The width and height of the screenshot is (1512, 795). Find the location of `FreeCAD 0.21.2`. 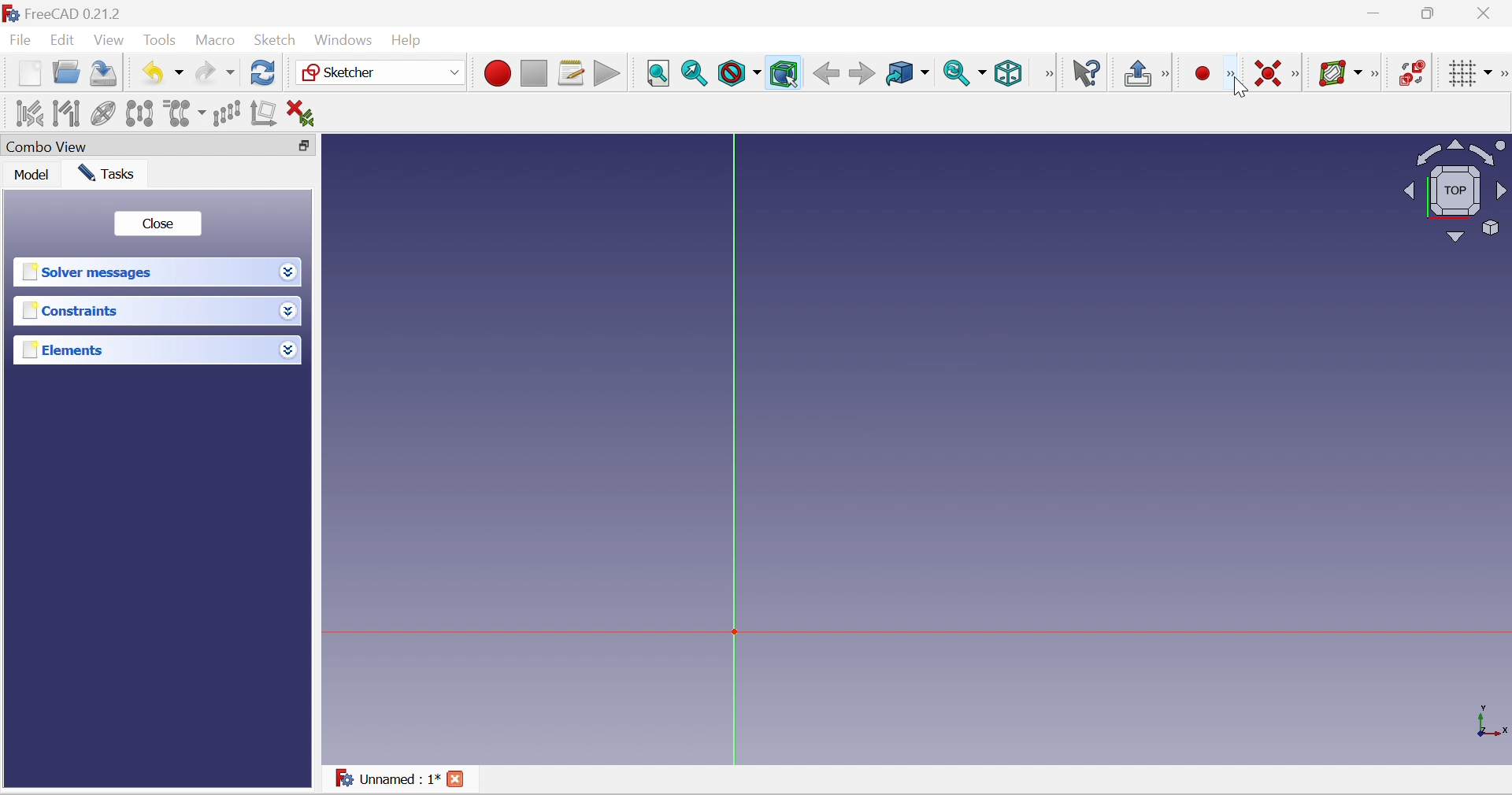

FreeCAD 0.21.2 is located at coordinates (63, 13).